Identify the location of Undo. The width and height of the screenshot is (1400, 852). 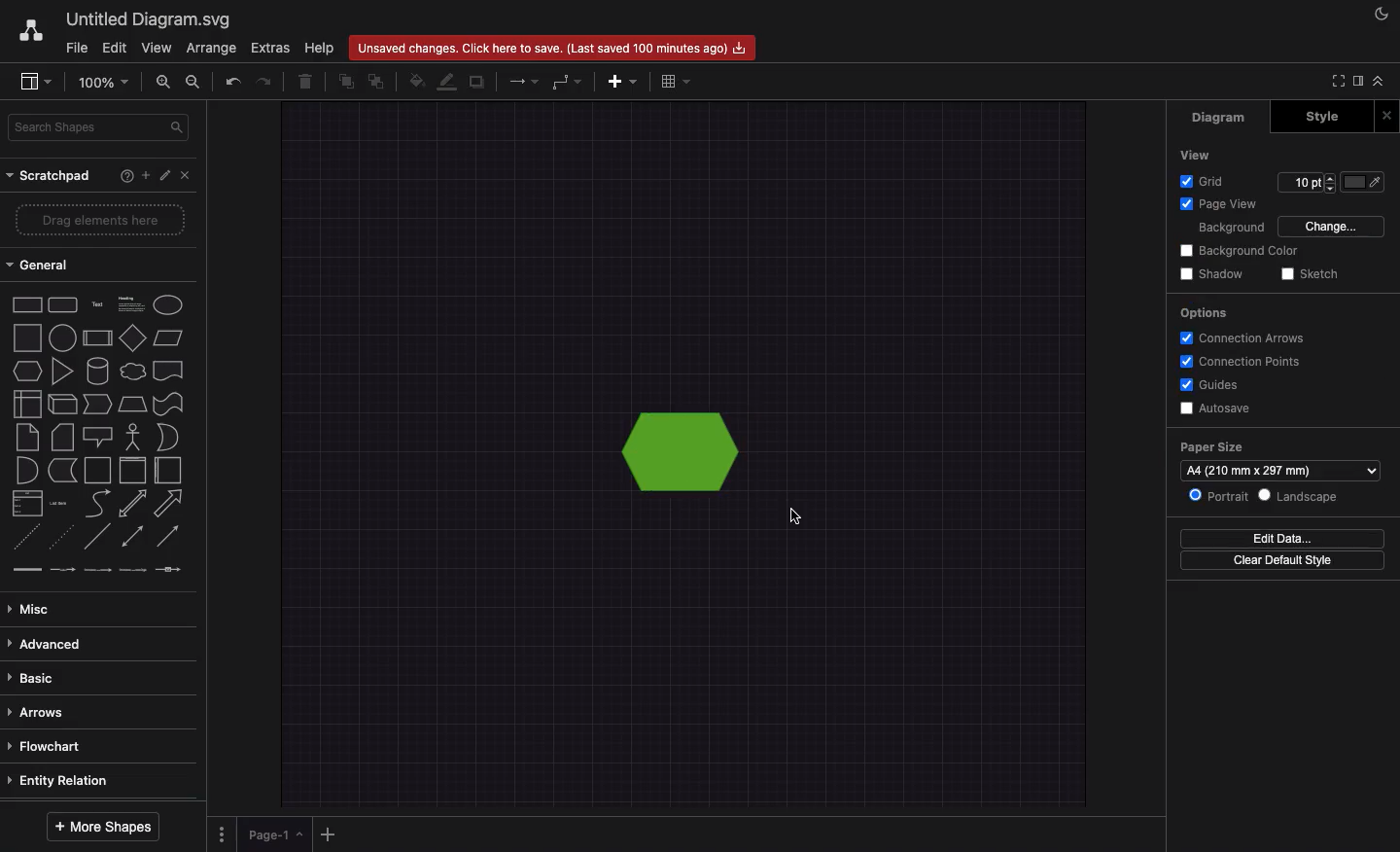
(228, 82).